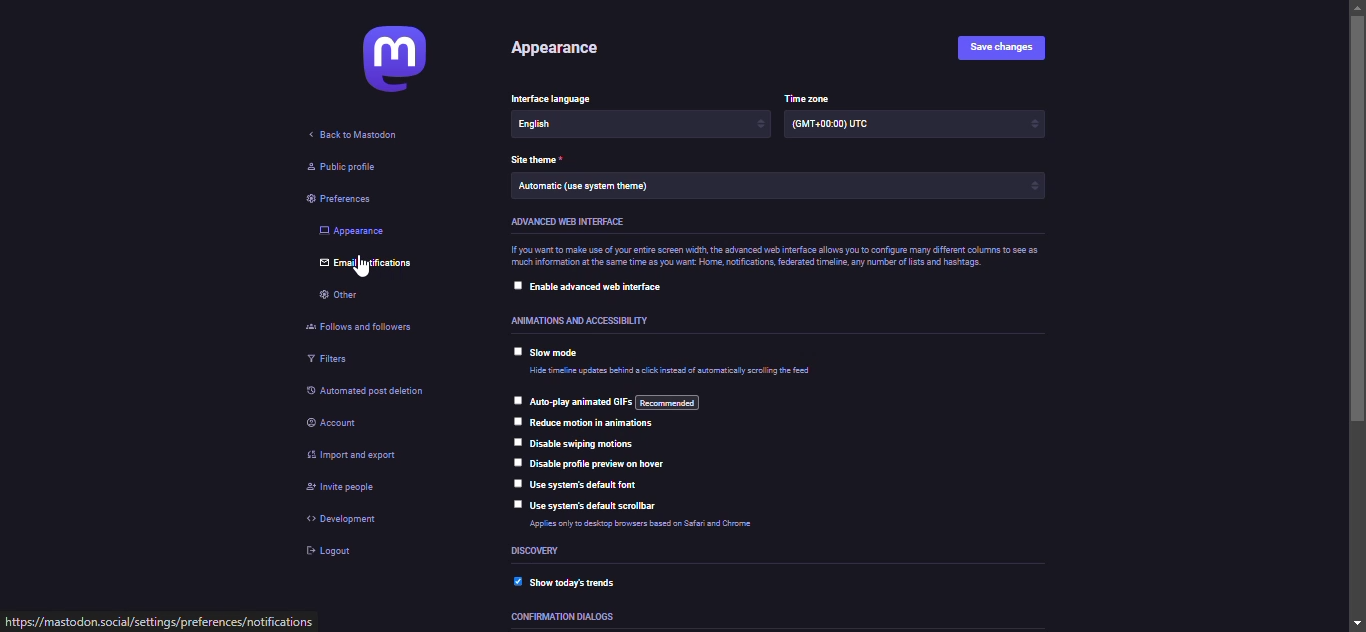  What do you see at coordinates (366, 326) in the screenshot?
I see `follows and followers` at bounding box center [366, 326].